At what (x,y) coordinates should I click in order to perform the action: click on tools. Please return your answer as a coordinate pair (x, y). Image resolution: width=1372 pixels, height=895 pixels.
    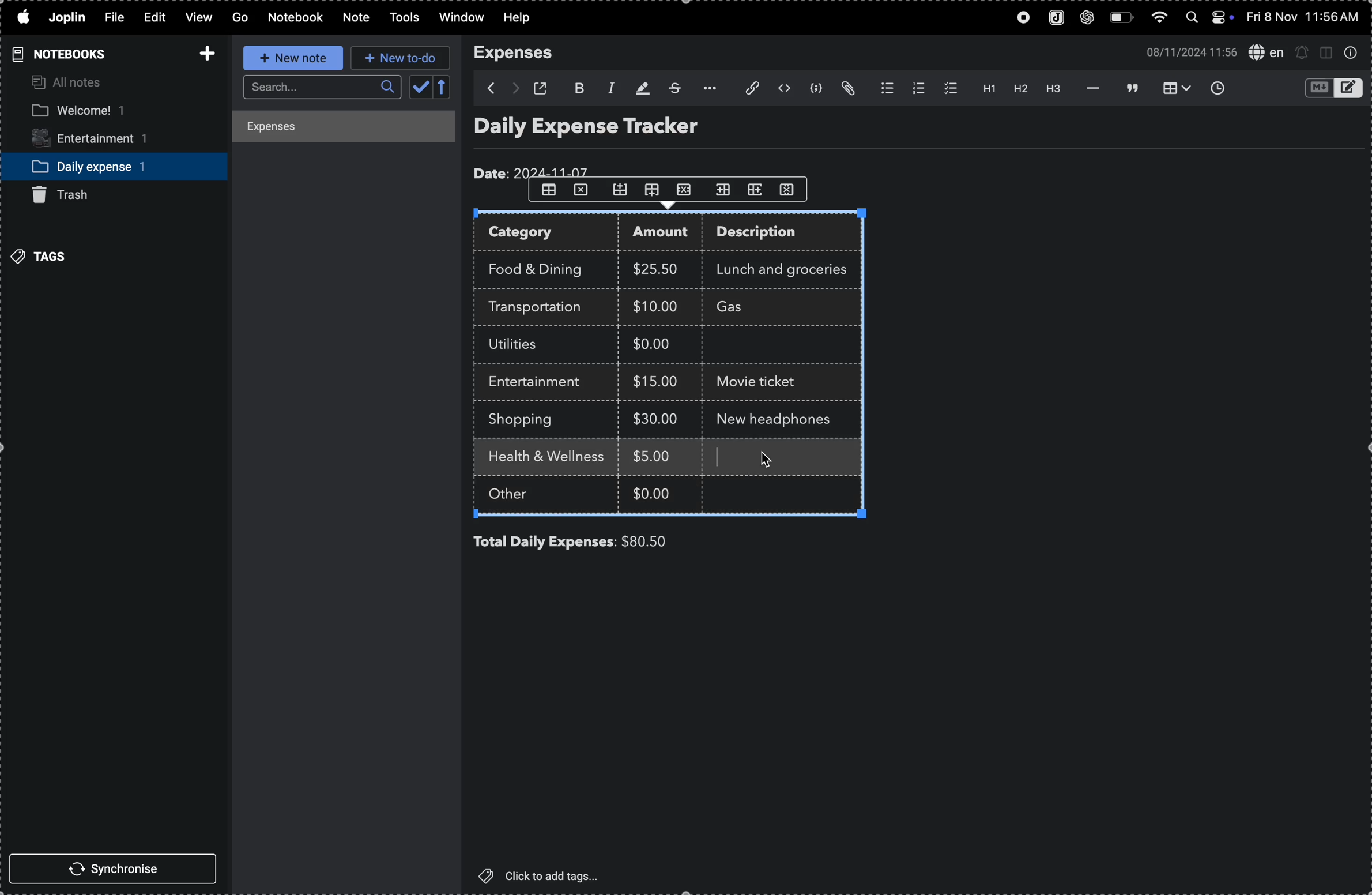
    Looking at the image, I should click on (401, 18).